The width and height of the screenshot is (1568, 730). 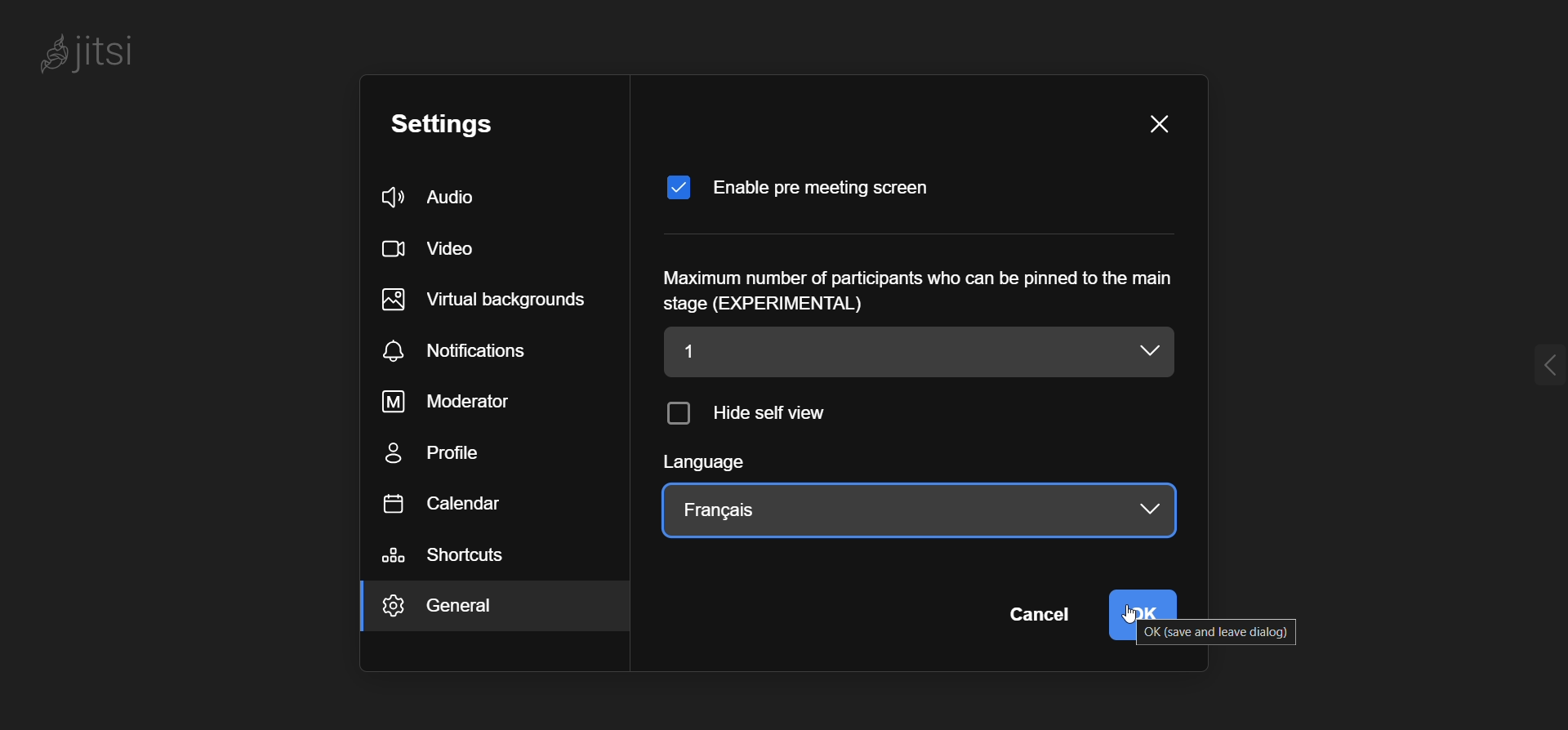 What do you see at coordinates (434, 249) in the screenshot?
I see `video` at bounding box center [434, 249].